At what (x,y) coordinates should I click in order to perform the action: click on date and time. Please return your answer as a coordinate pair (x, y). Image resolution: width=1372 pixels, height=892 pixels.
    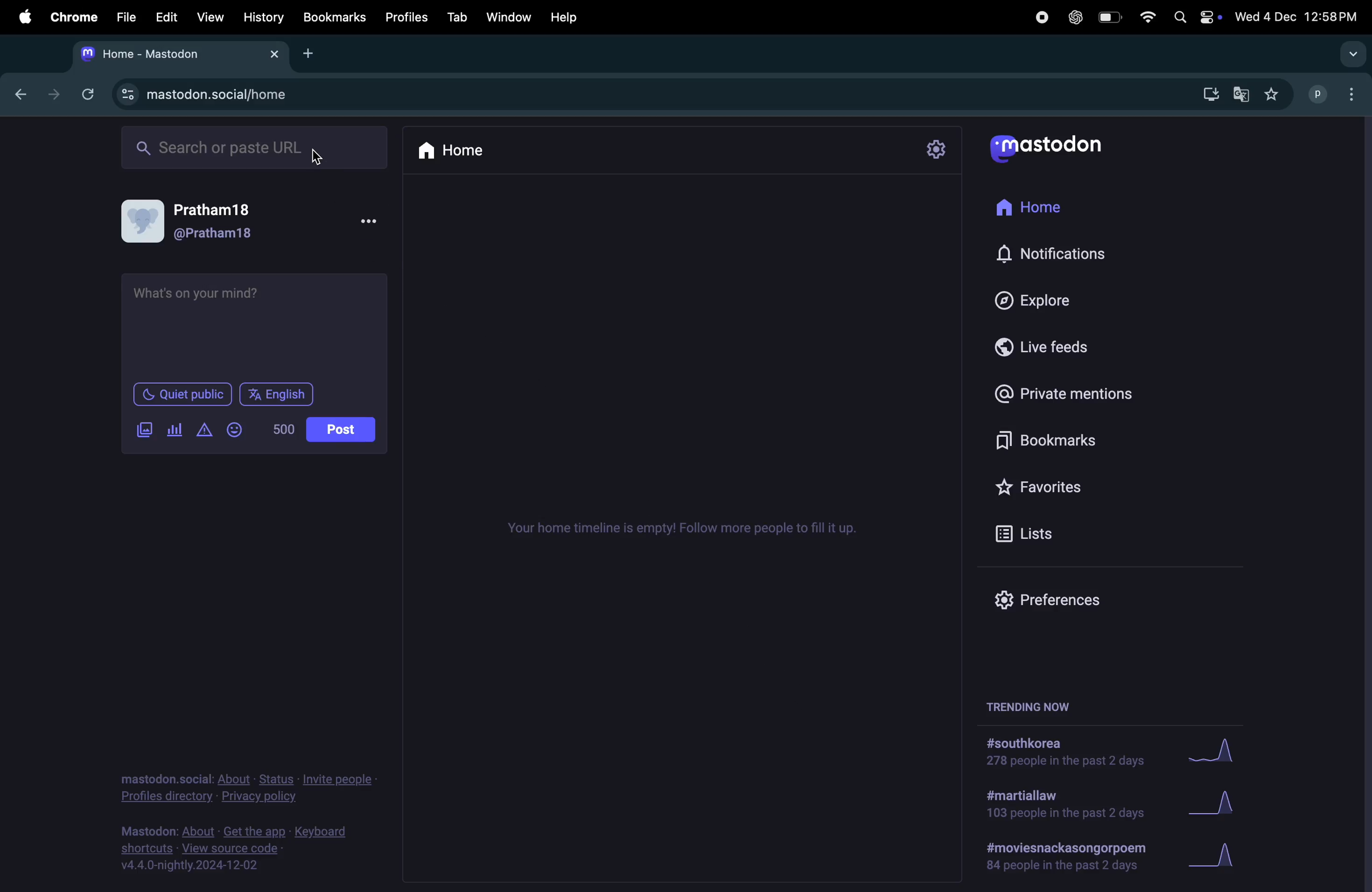
    Looking at the image, I should click on (1298, 17).